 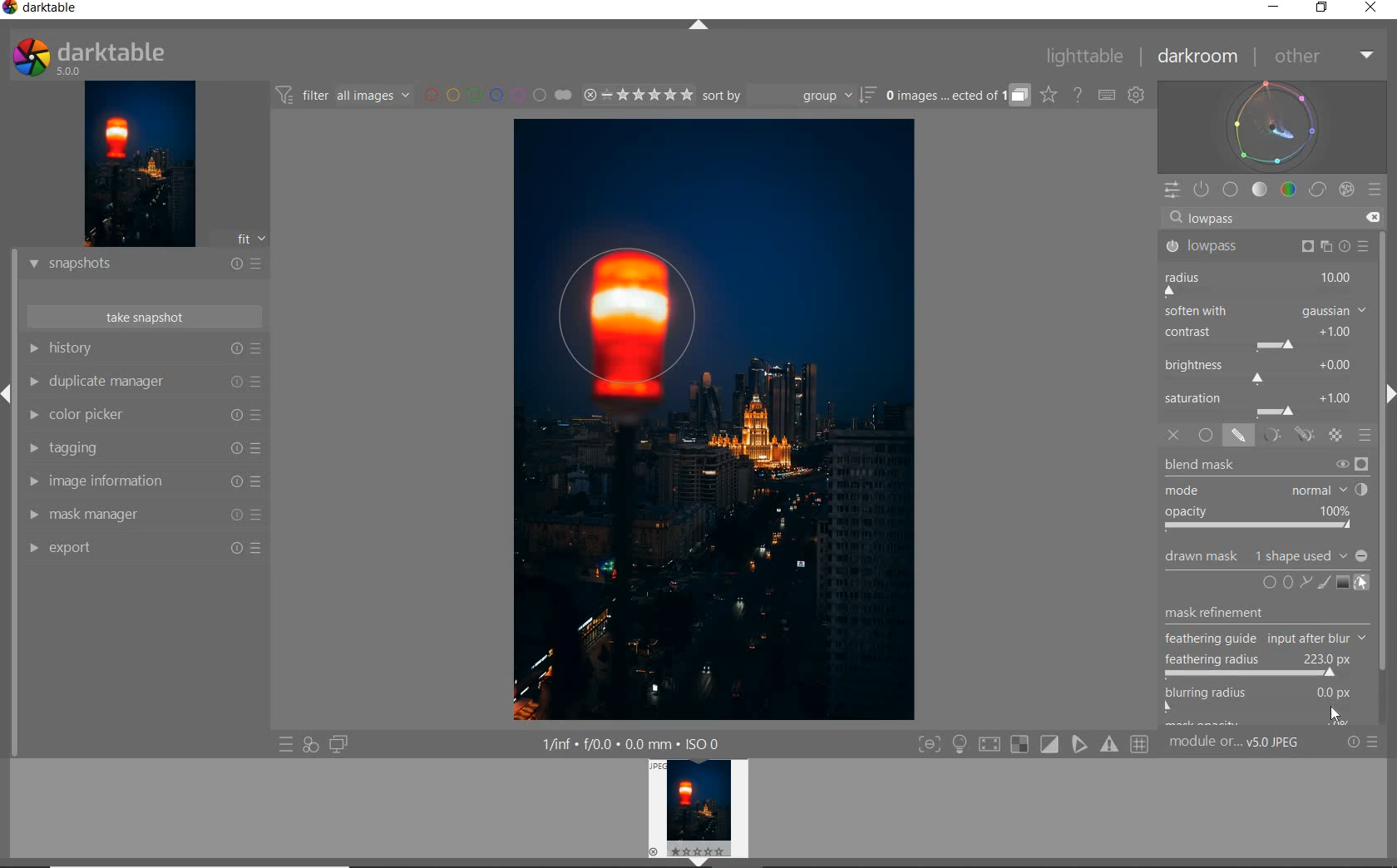 I want to click on OTHER, so click(x=1323, y=57).